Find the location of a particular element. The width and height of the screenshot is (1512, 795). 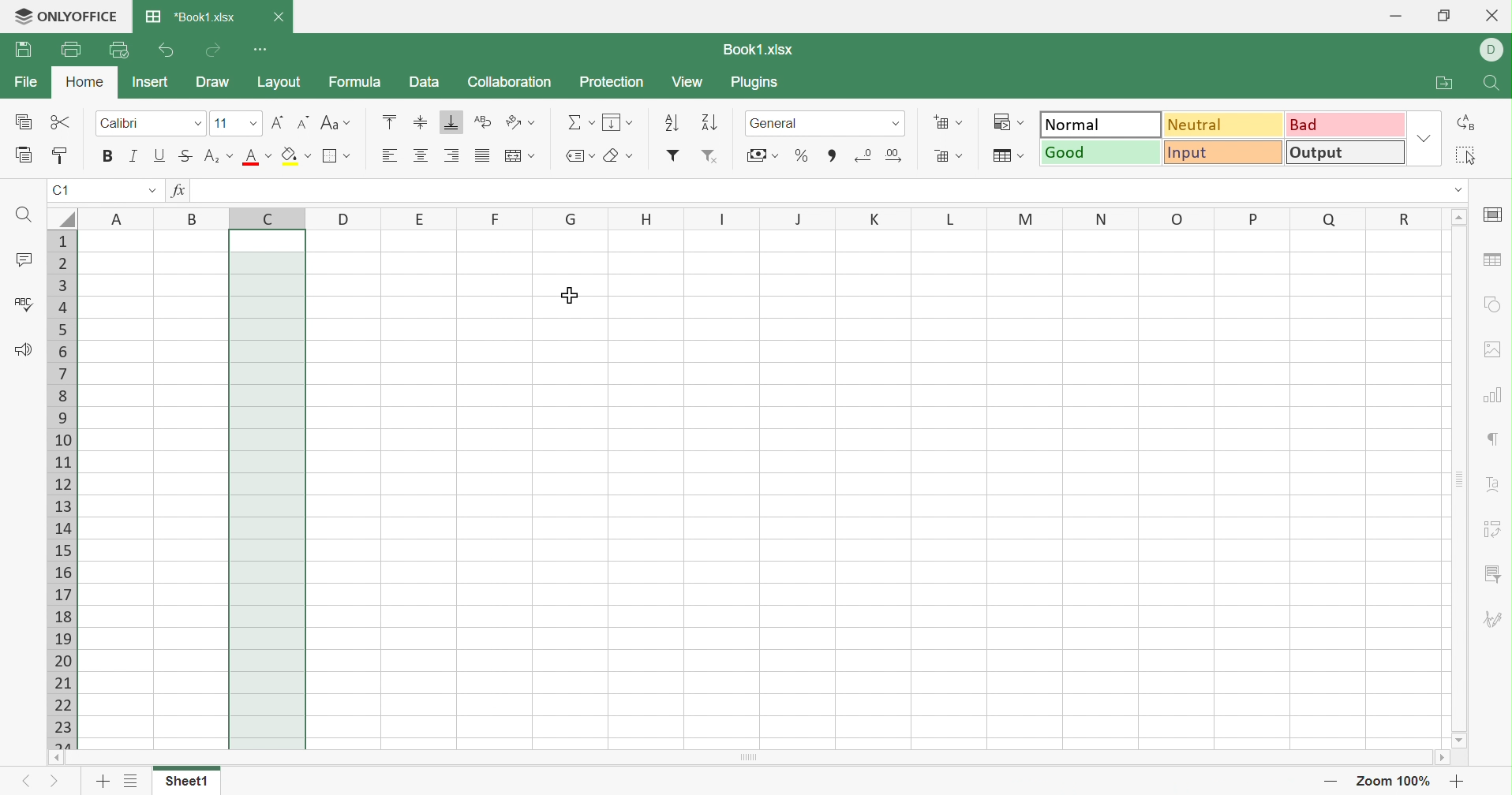

Drop Down is located at coordinates (531, 122).